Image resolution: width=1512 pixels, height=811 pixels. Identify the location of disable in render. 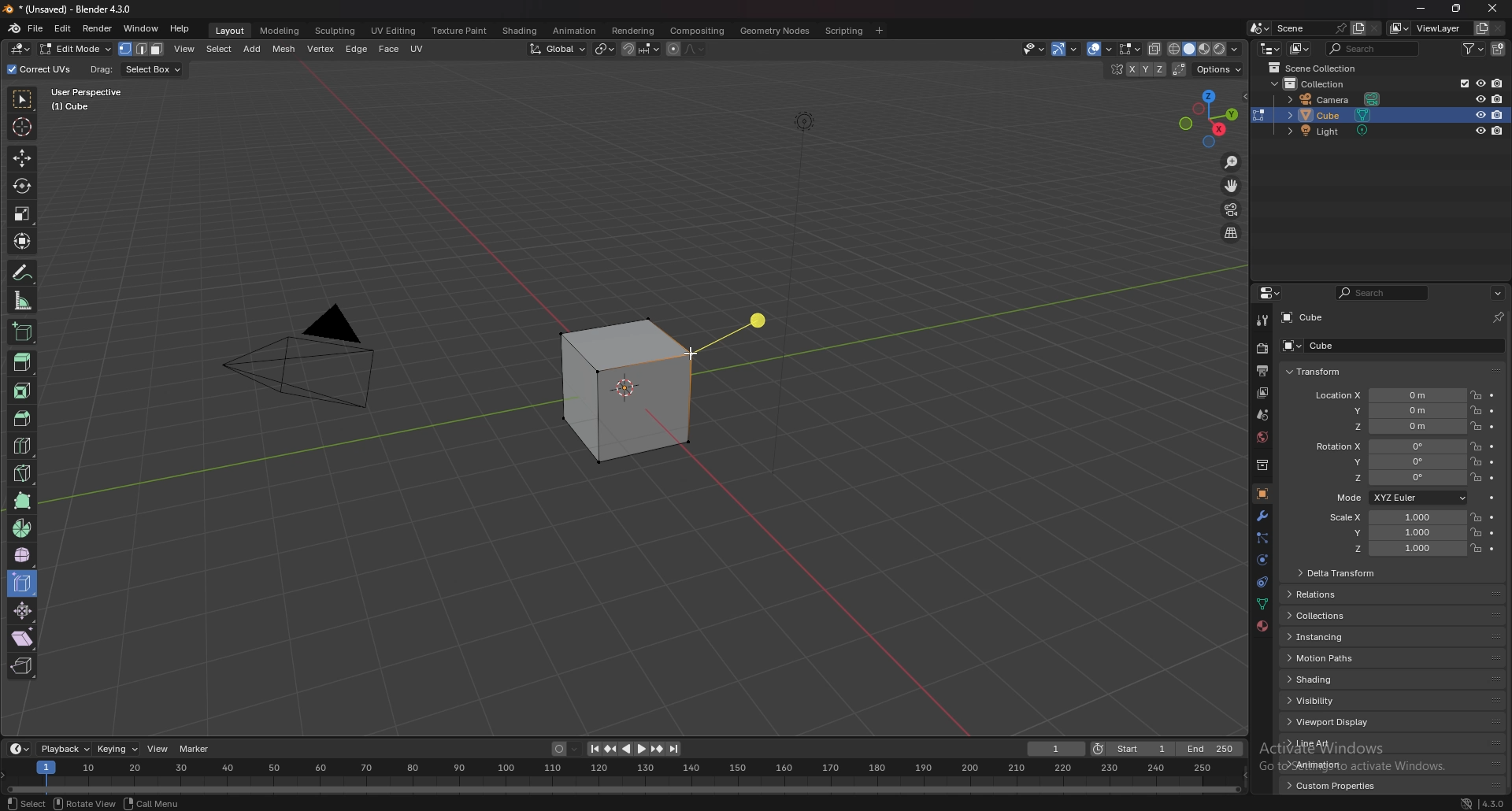
(1497, 98).